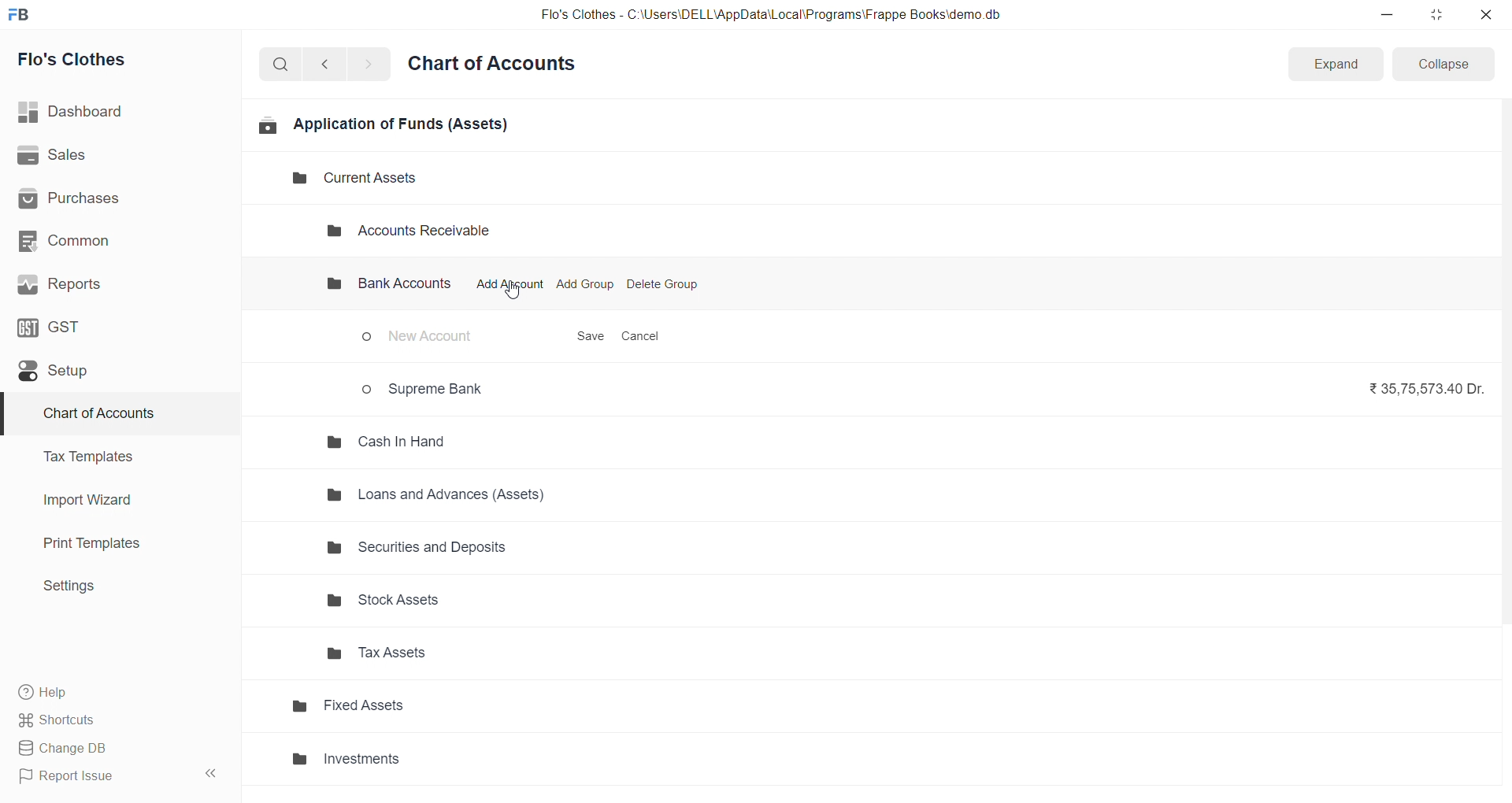 The width and height of the screenshot is (1512, 803). Describe the element at coordinates (1485, 14) in the screenshot. I see `close` at that location.